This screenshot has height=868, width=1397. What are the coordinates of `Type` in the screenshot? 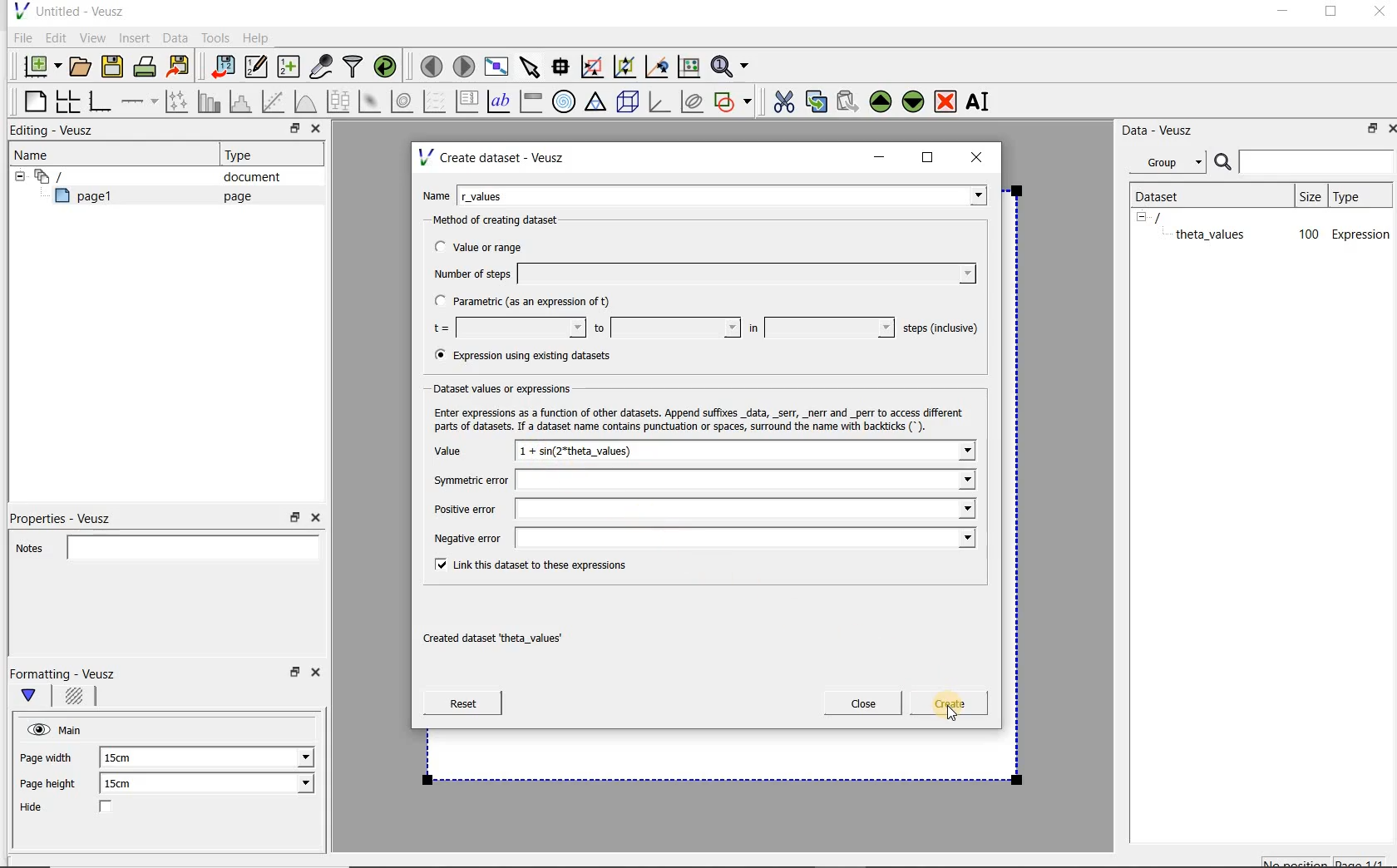 It's located at (245, 155).